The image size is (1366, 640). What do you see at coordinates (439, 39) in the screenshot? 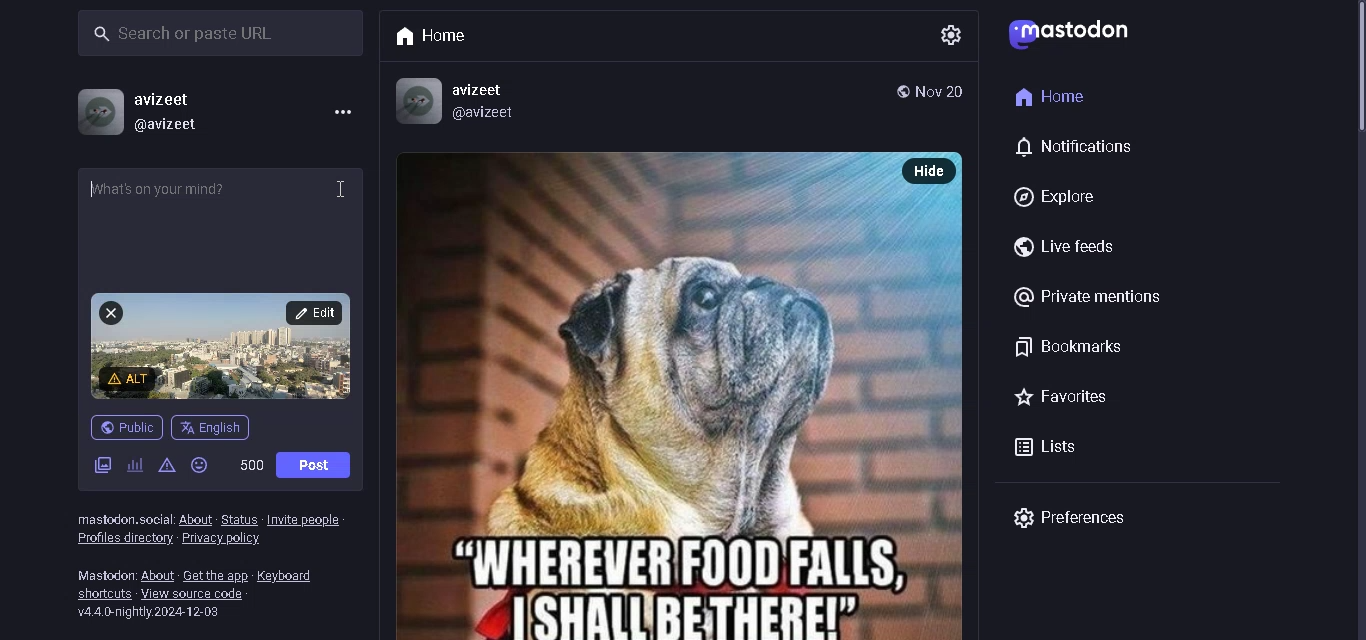
I see `Home tab` at bounding box center [439, 39].